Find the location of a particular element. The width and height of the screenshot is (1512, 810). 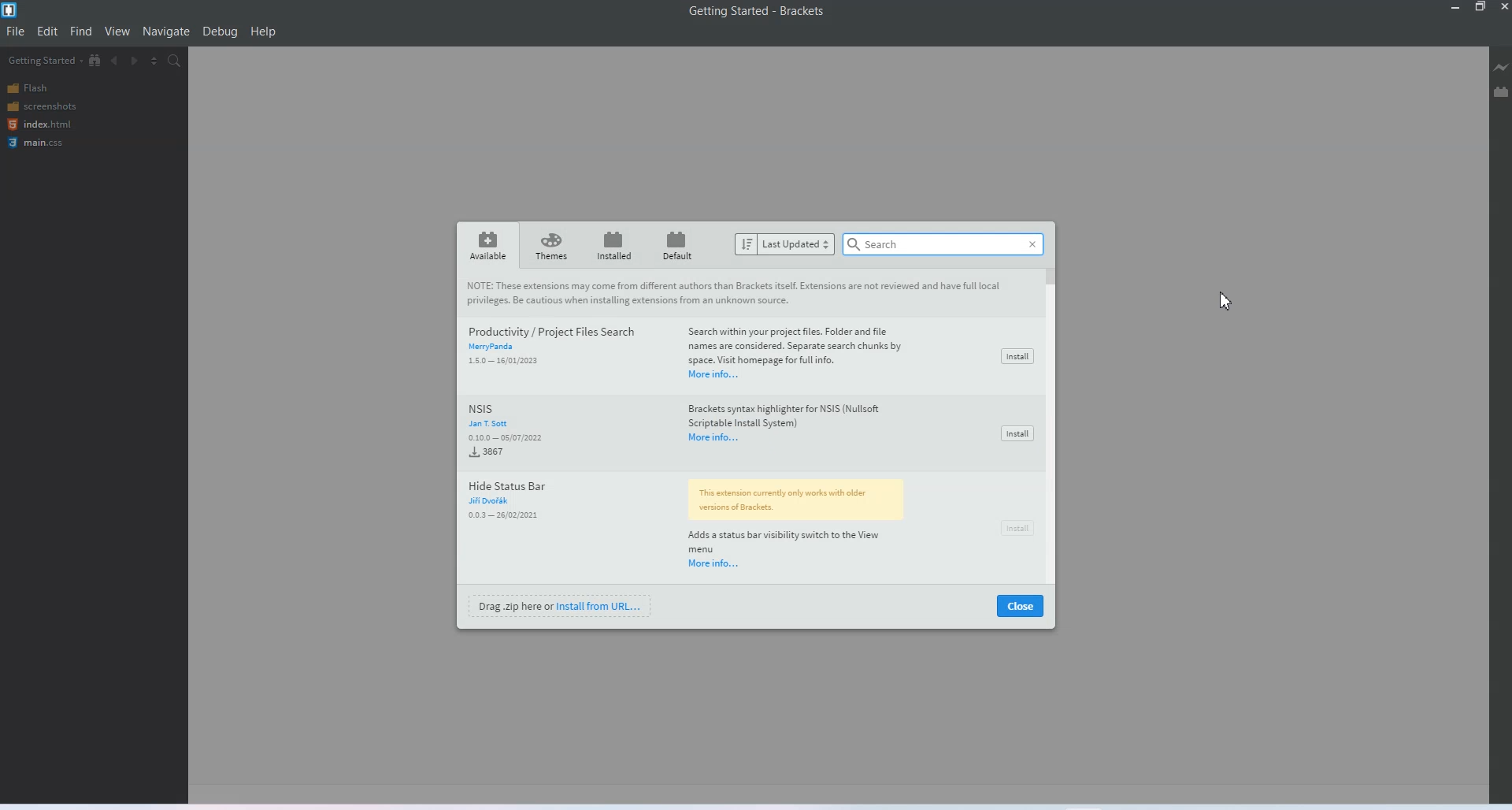

Minimize is located at coordinates (1457, 8).